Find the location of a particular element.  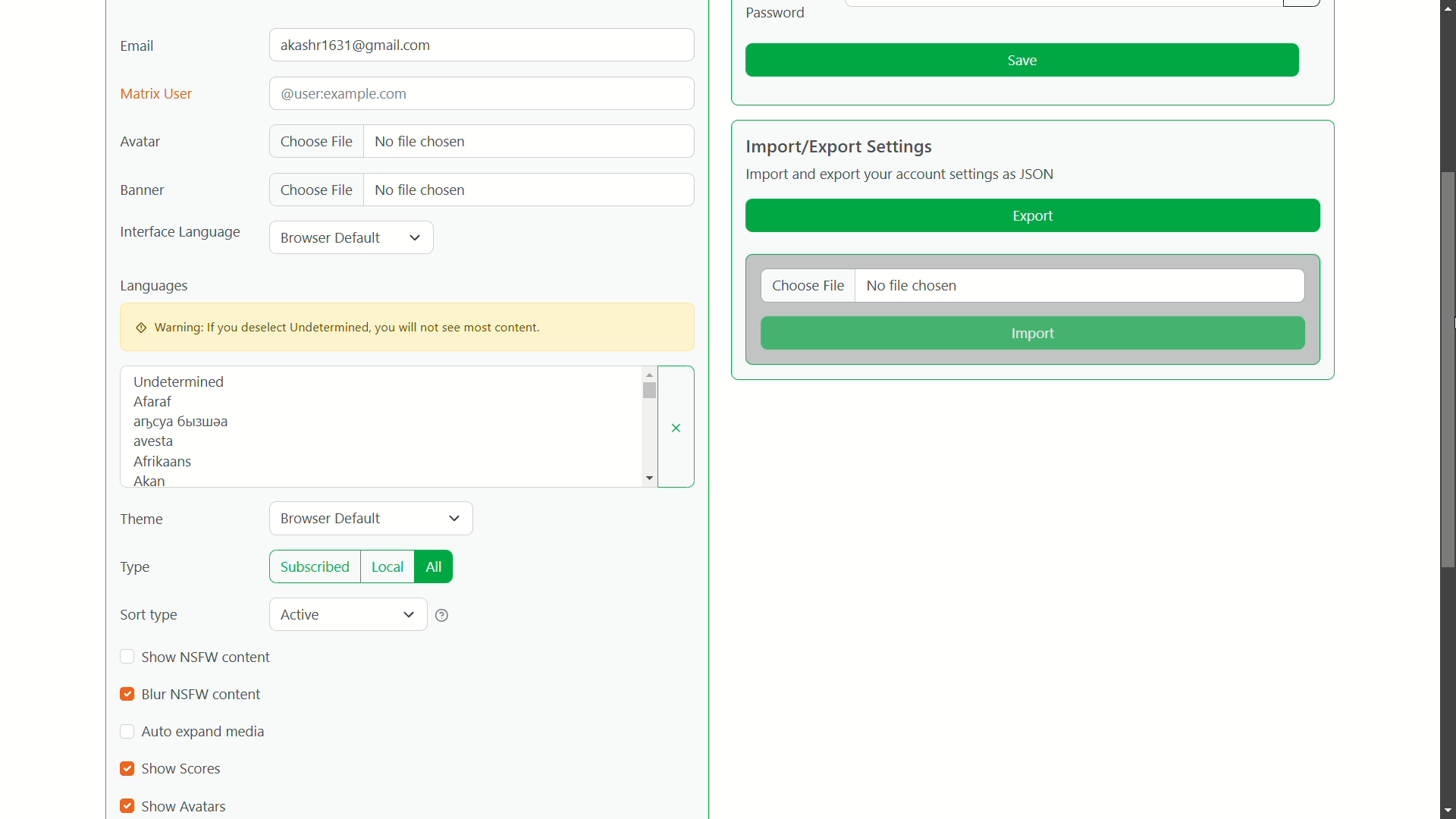

dropdown is located at coordinates (416, 237).